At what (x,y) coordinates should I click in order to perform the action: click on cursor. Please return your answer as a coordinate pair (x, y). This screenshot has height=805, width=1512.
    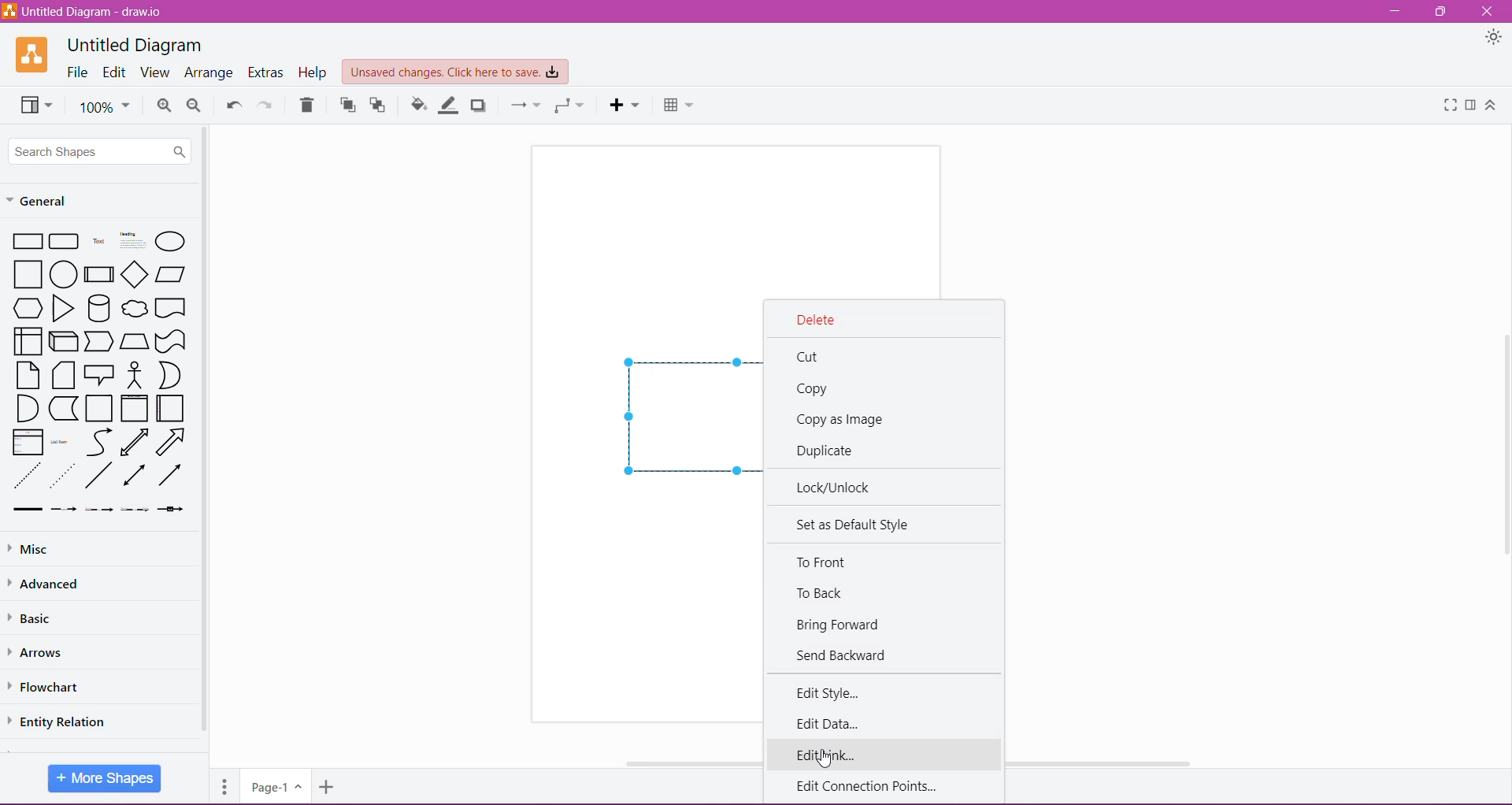
    Looking at the image, I should click on (830, 761).